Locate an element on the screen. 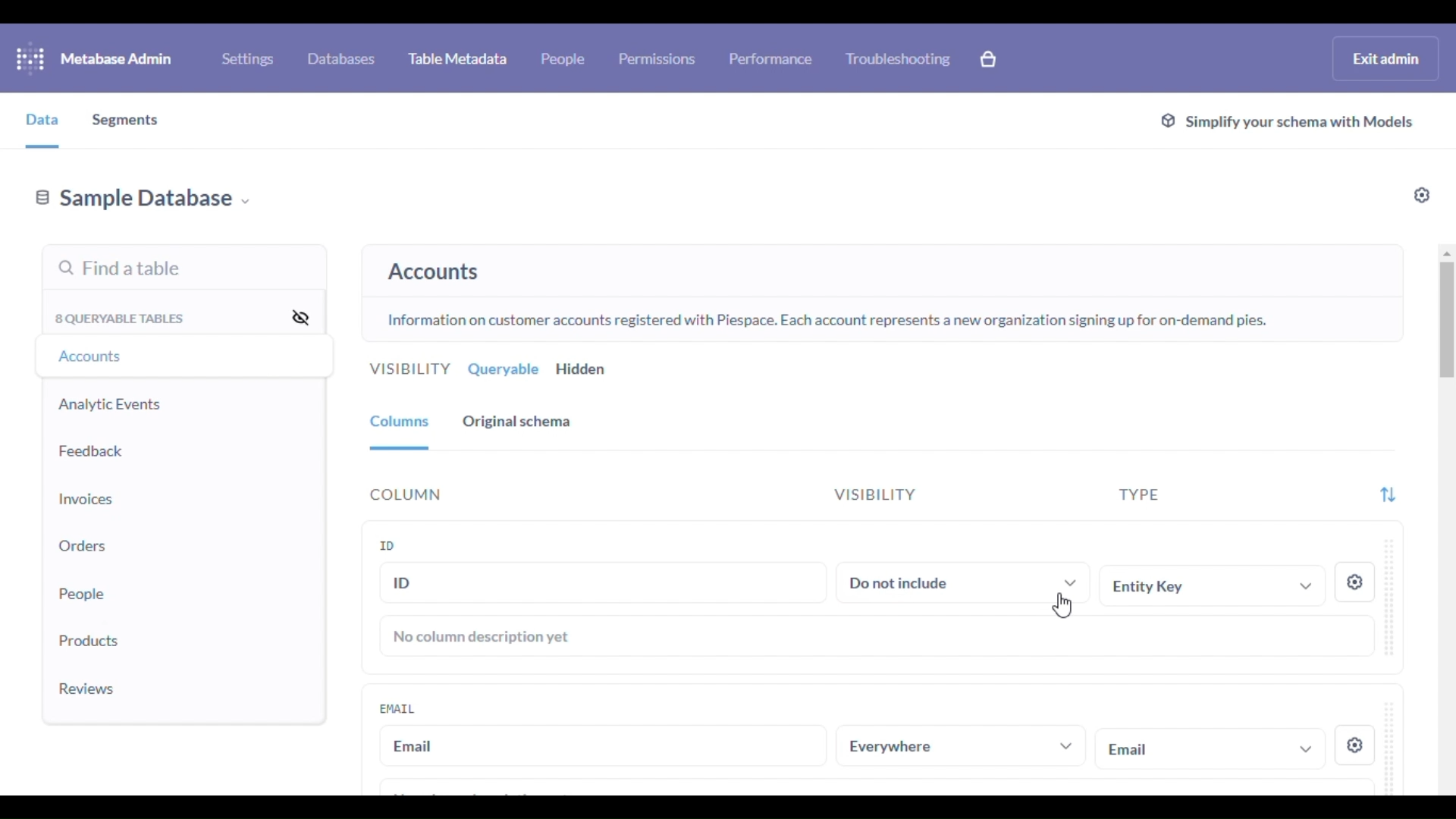  table metadata is located at coordinates (458, 58).